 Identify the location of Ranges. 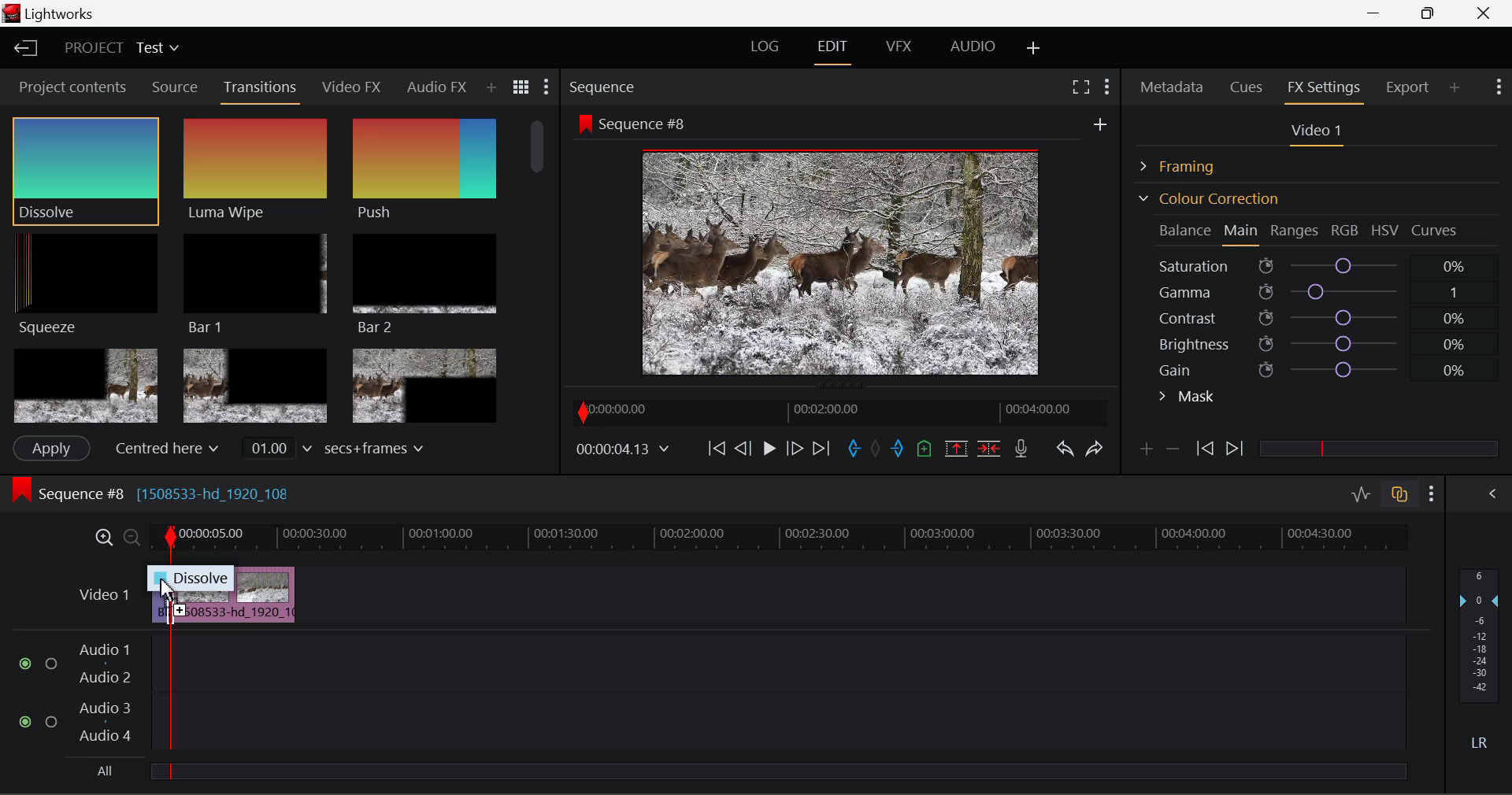
(1295, 232).